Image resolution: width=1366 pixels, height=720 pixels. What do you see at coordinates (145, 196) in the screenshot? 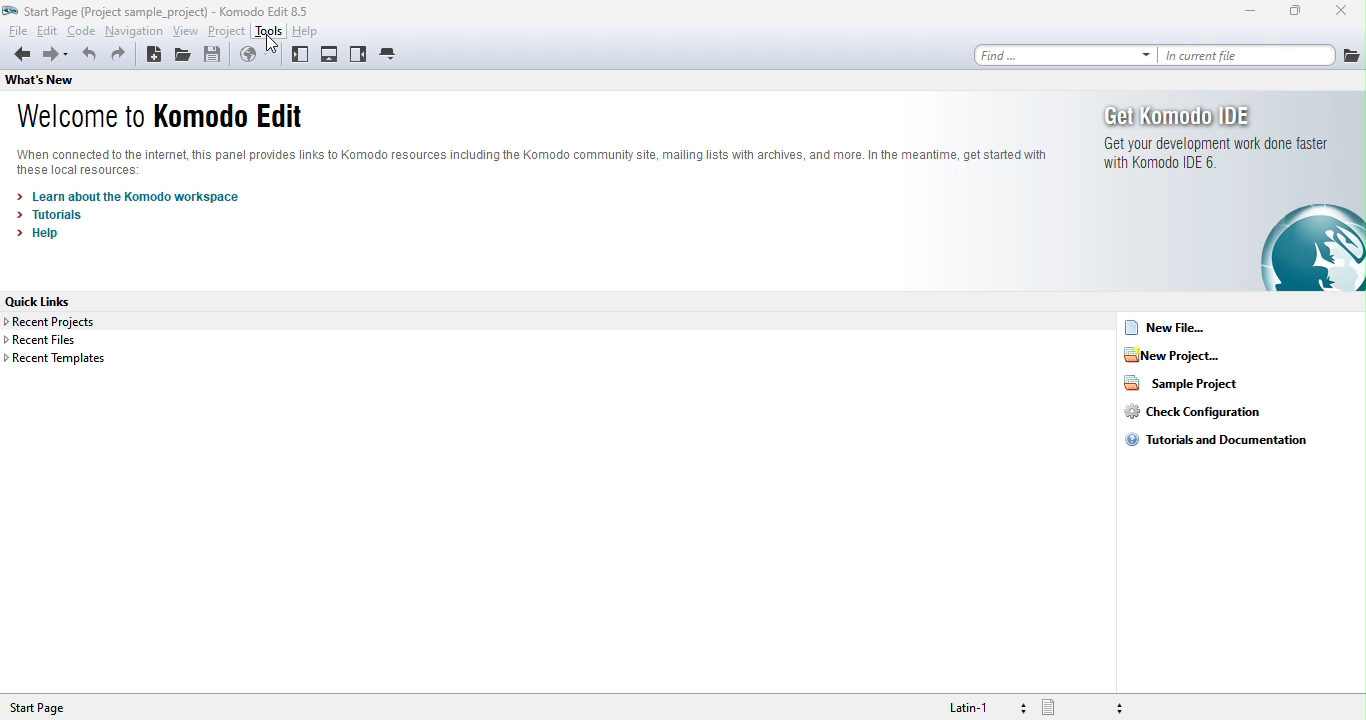
I see `learn about the komodo workspace` at bounding box center [145, 196].